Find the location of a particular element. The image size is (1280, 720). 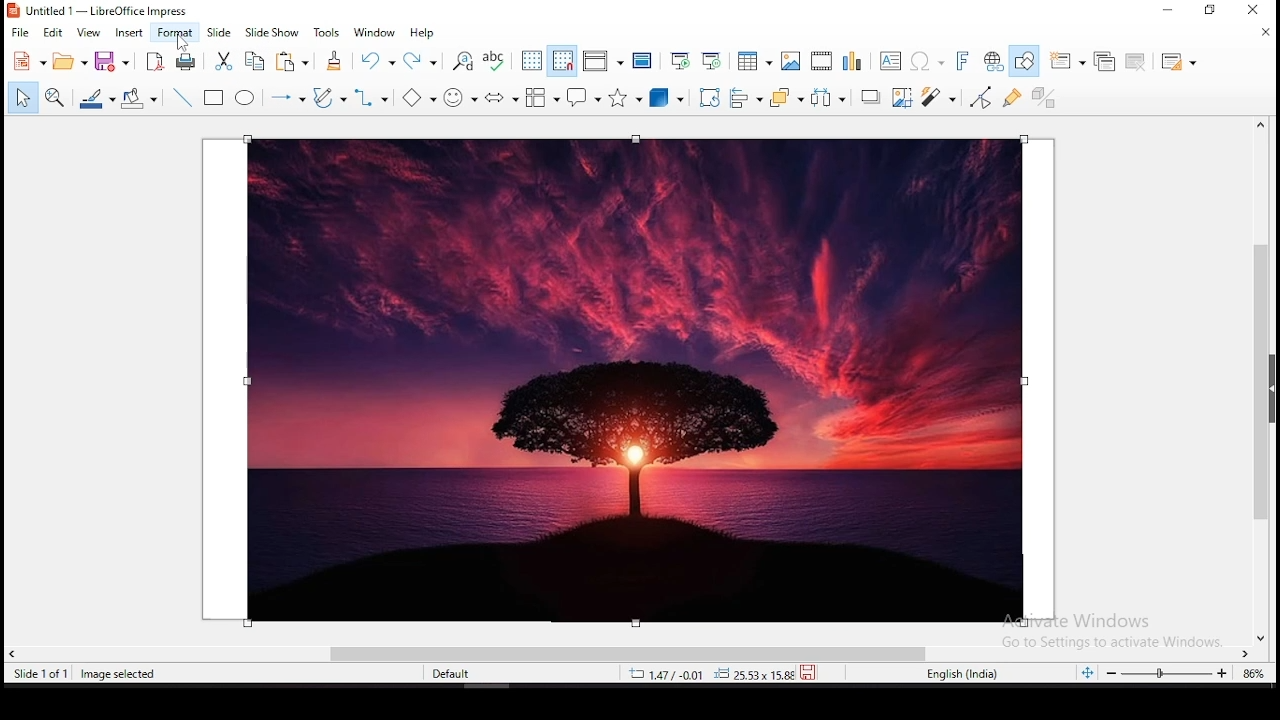

insert fontwork text is located at coordinates (964, 60).